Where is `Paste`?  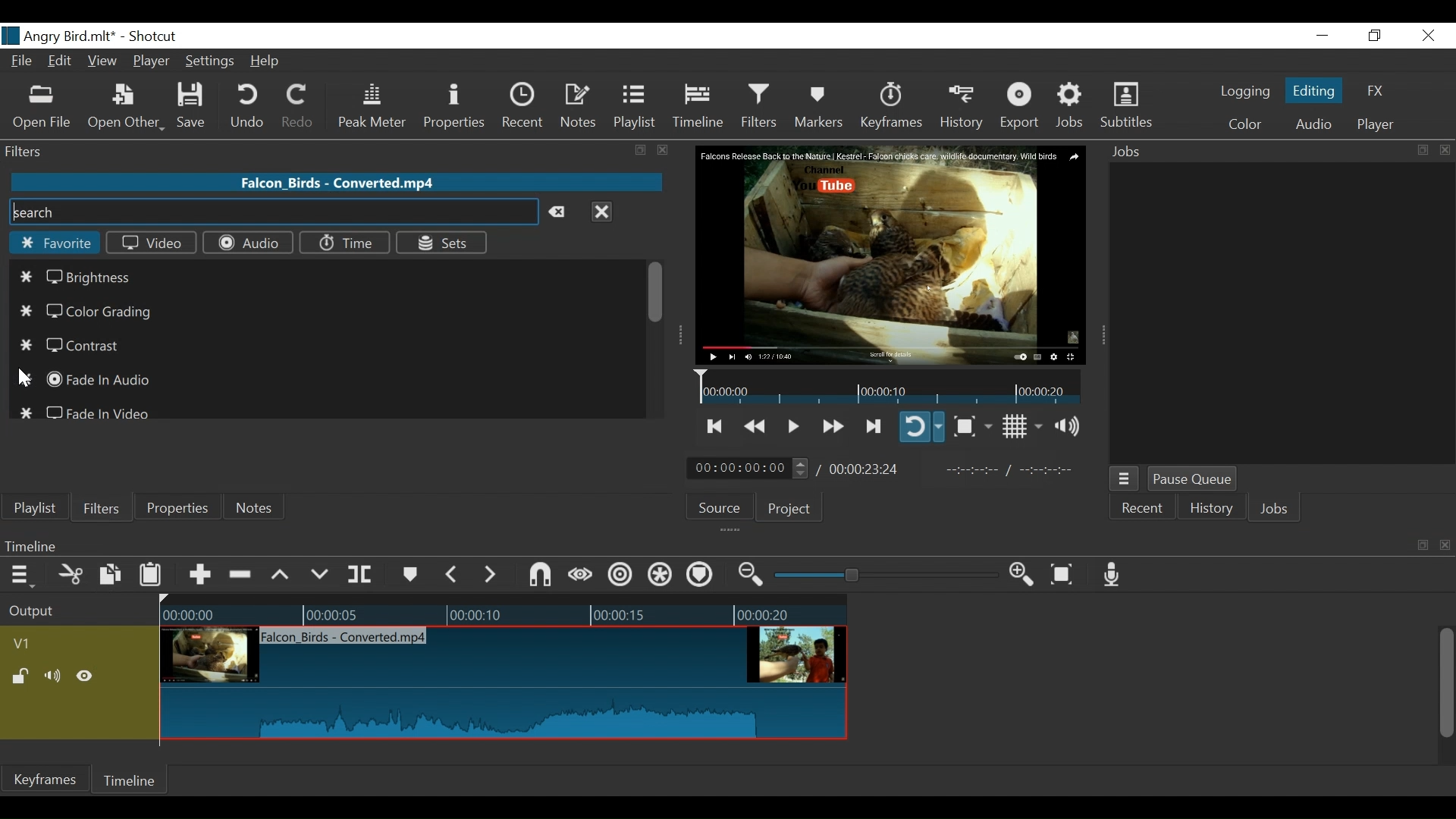
Paste is located at coordinates (152, 578).